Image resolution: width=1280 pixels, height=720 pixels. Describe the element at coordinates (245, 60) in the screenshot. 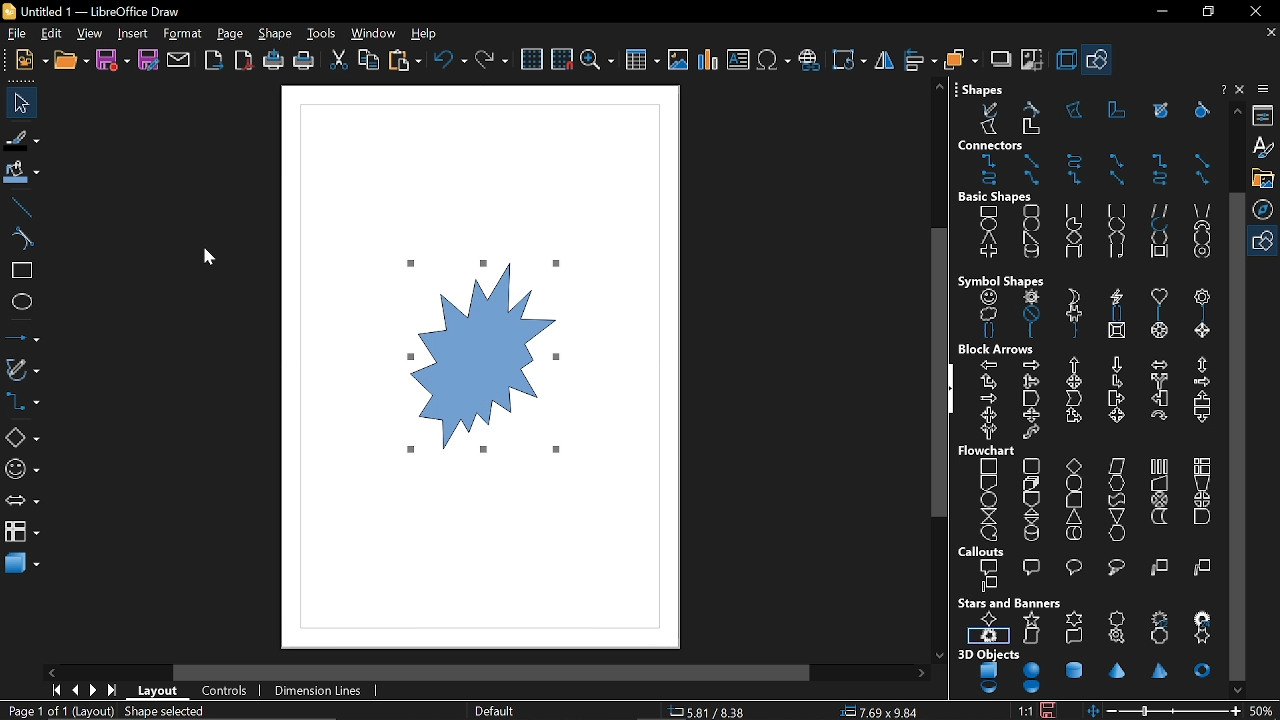

I see `export as pdf` at that location.